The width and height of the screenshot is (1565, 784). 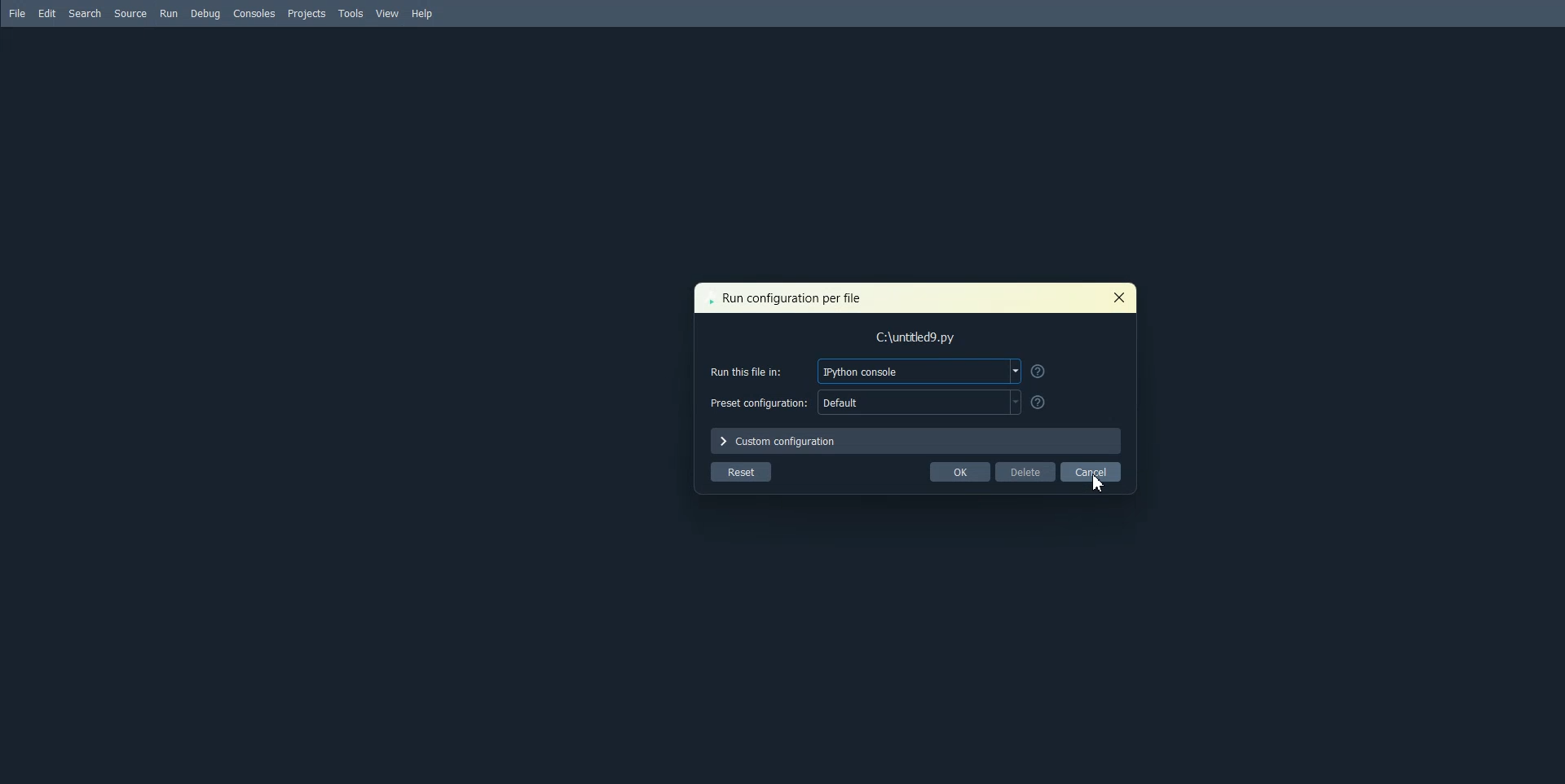 I want to click on Run this file in, so click(x=754, y=368).